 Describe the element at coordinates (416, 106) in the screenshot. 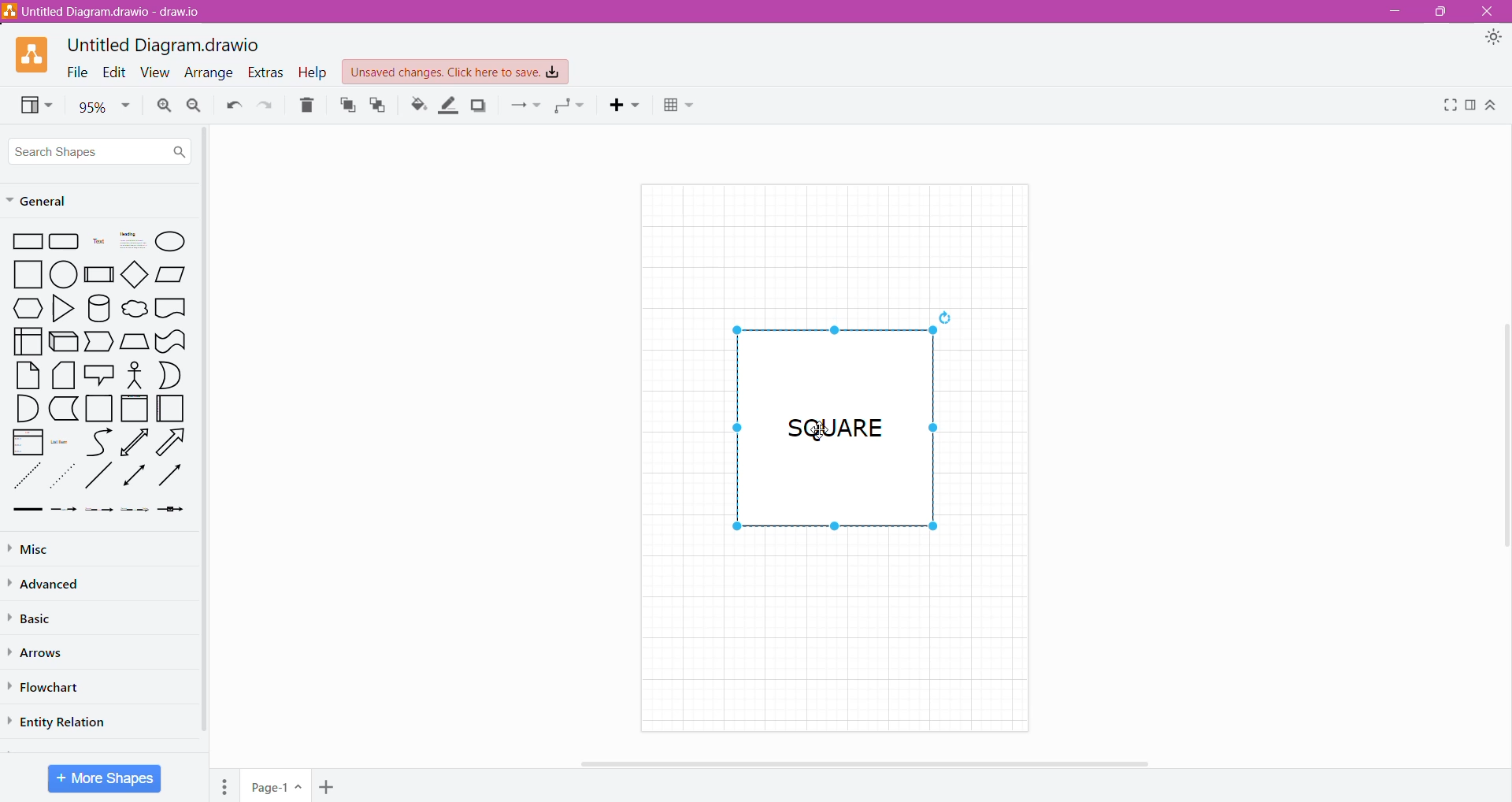

I see `Fill Color` at that location.